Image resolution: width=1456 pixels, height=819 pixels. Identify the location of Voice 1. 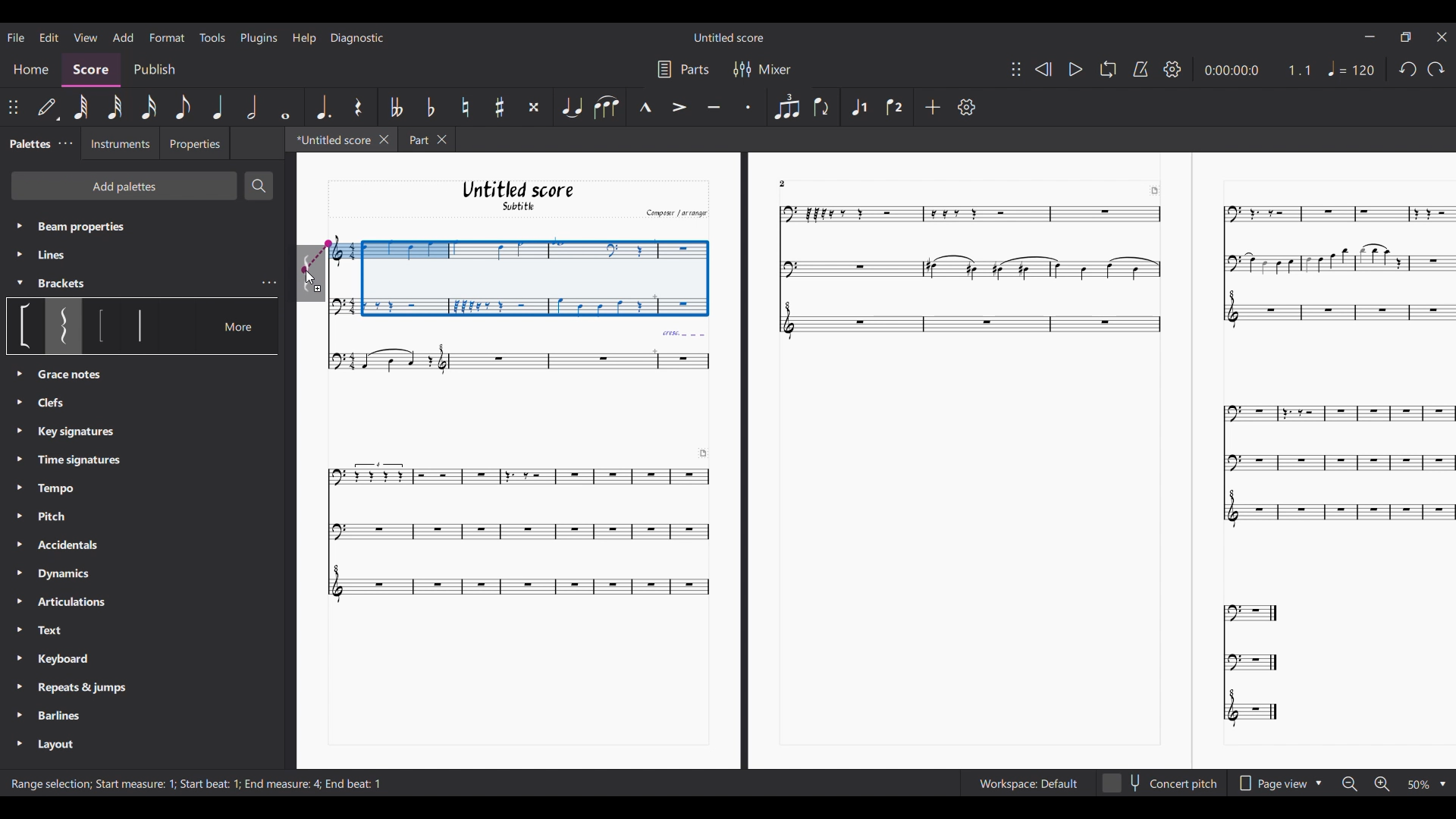
(859, 105).